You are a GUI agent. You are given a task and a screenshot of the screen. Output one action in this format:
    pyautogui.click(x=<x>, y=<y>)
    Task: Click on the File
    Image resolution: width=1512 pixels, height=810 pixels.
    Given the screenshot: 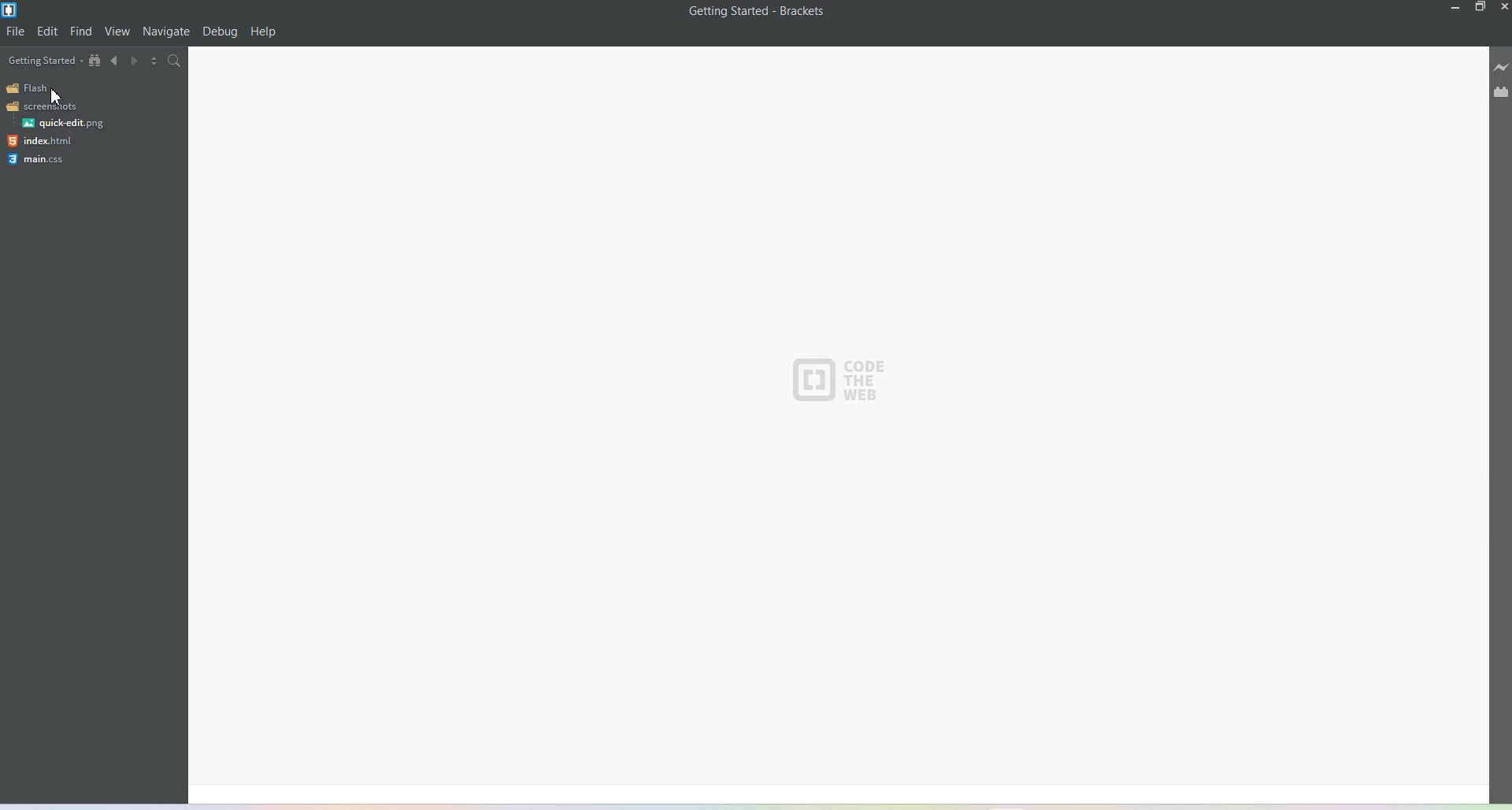 What is the action you would take?
    pyautogui.click(x=17, y=32)
    